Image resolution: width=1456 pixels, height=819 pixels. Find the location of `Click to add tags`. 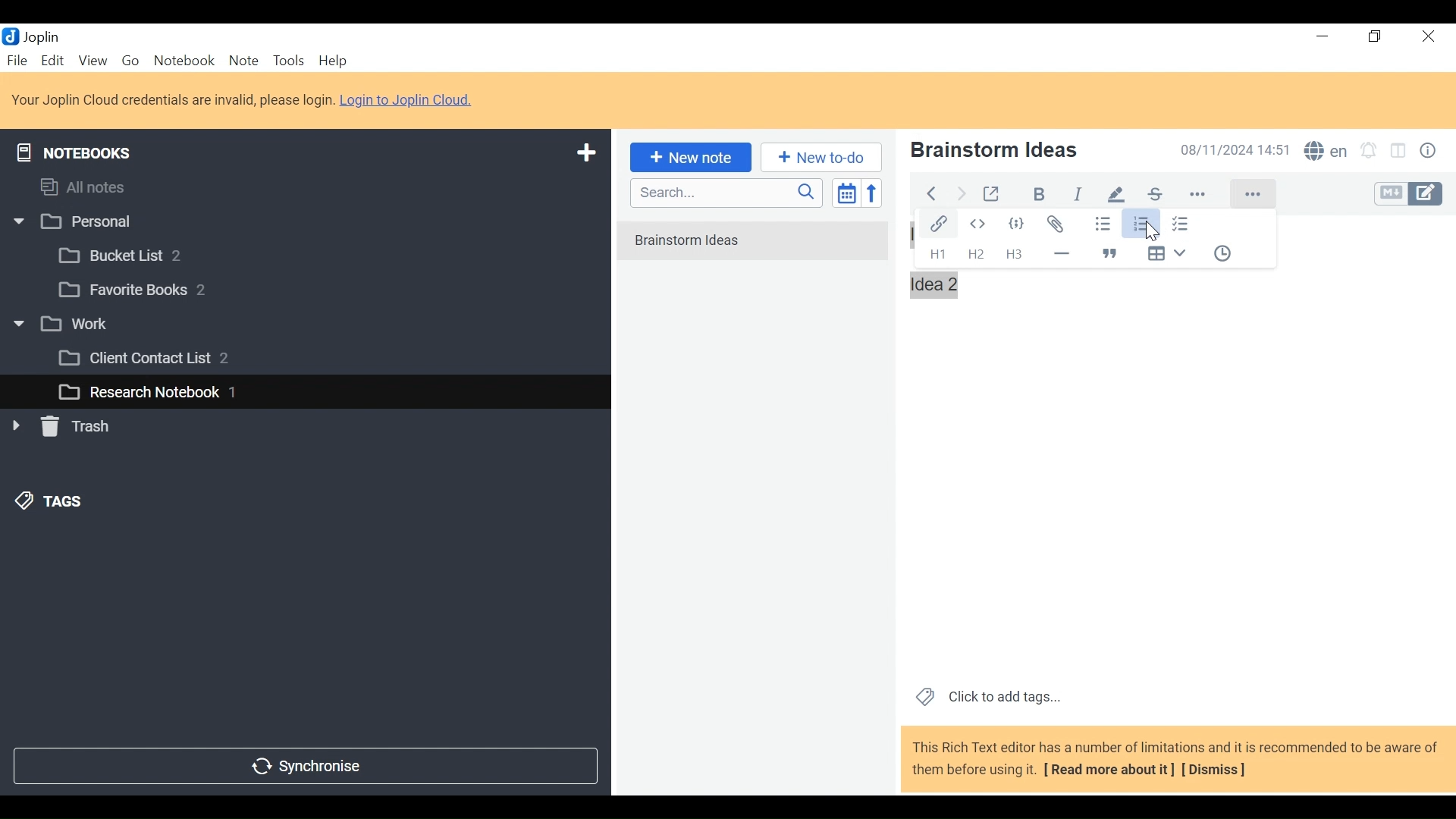

Click to add tags is located at coordinates (985, 695).